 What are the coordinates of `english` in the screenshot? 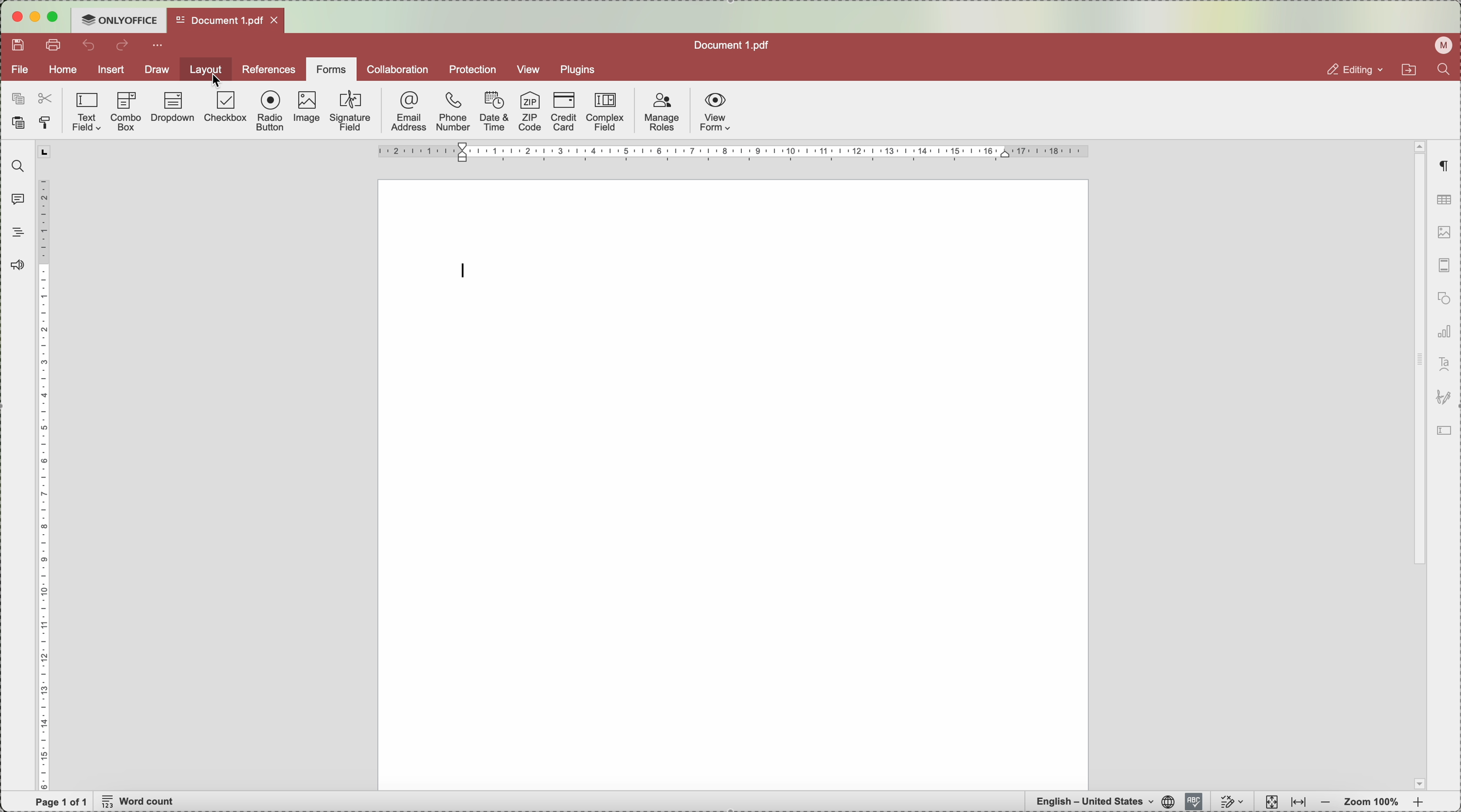 It's located at (1101, 801).